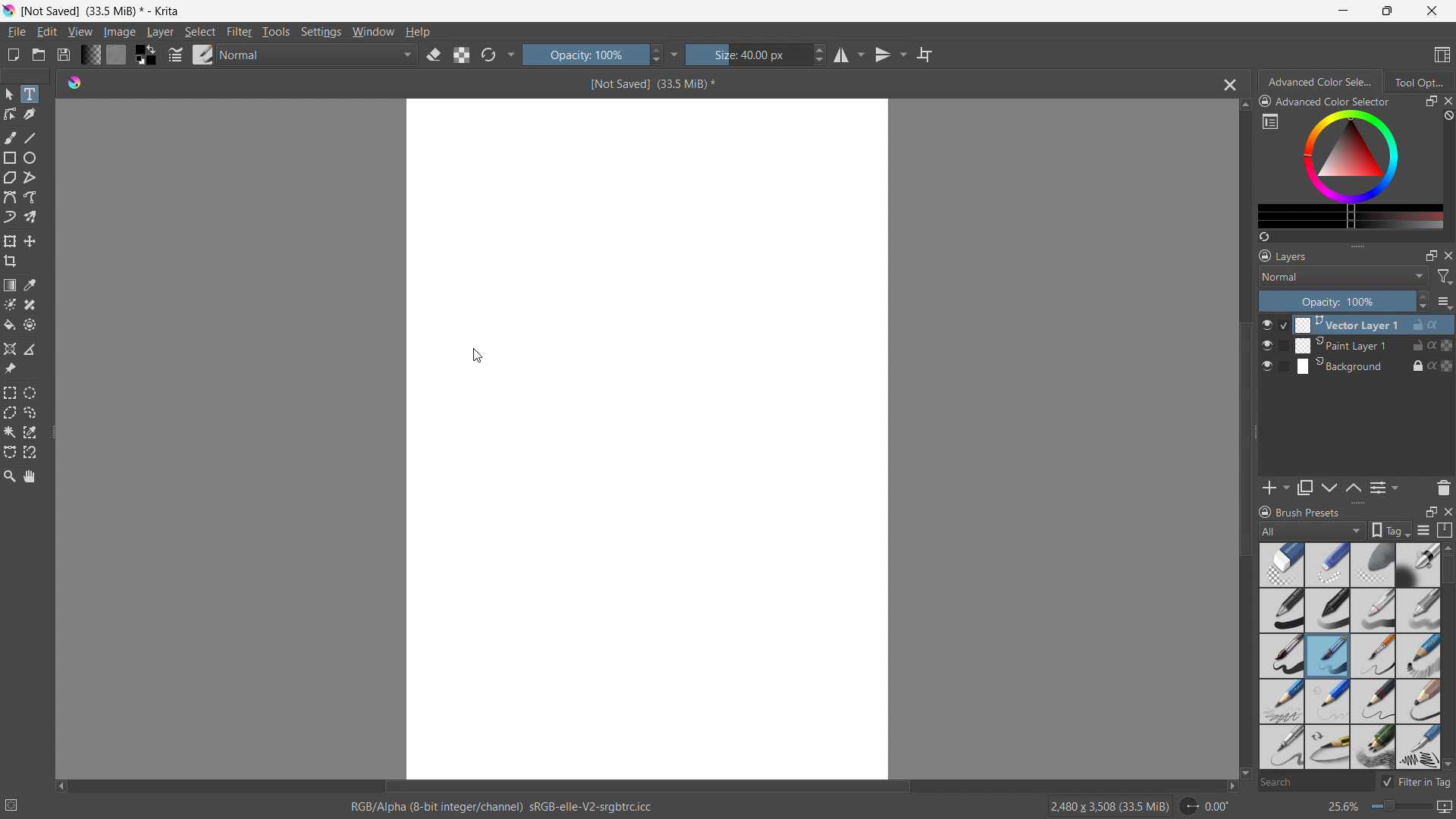 This screenshot has height=819, width=1456. Describe the element at coordinates (1327, 748) in the screenshot. I see `small tip pencil` at that location.